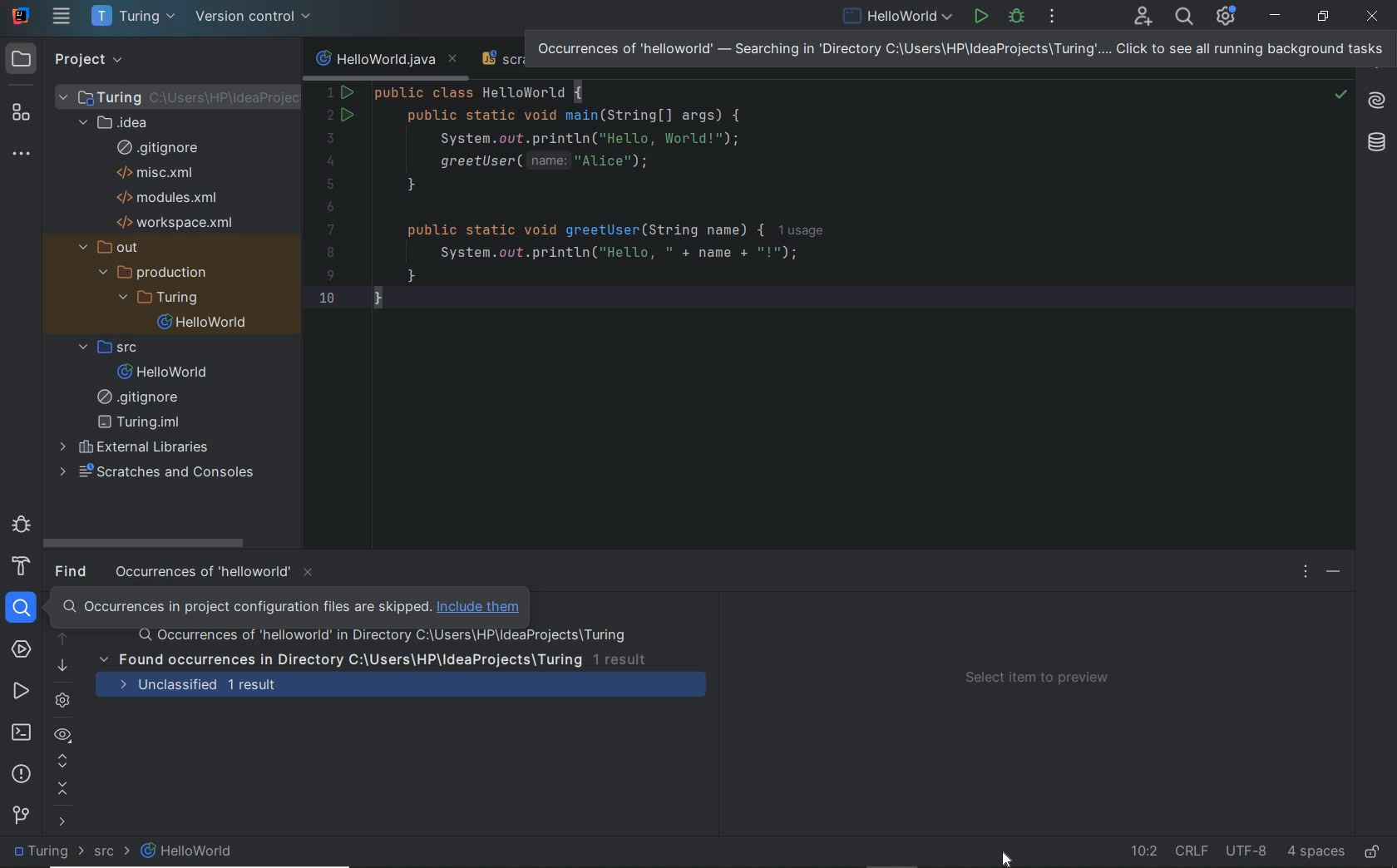 The image size is (1397, 868). I want to click on CLOSE, so click(1374, 17).